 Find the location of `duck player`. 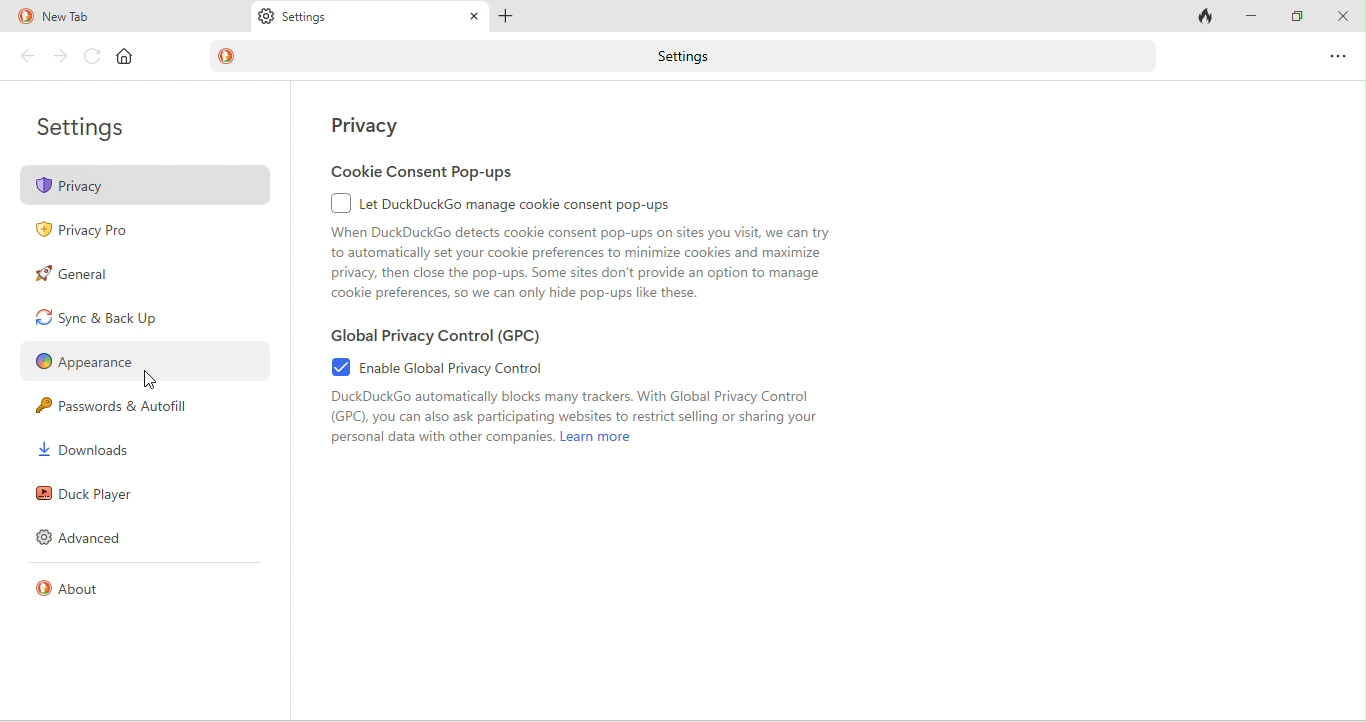

duck player is located at coordinates (92, 494).